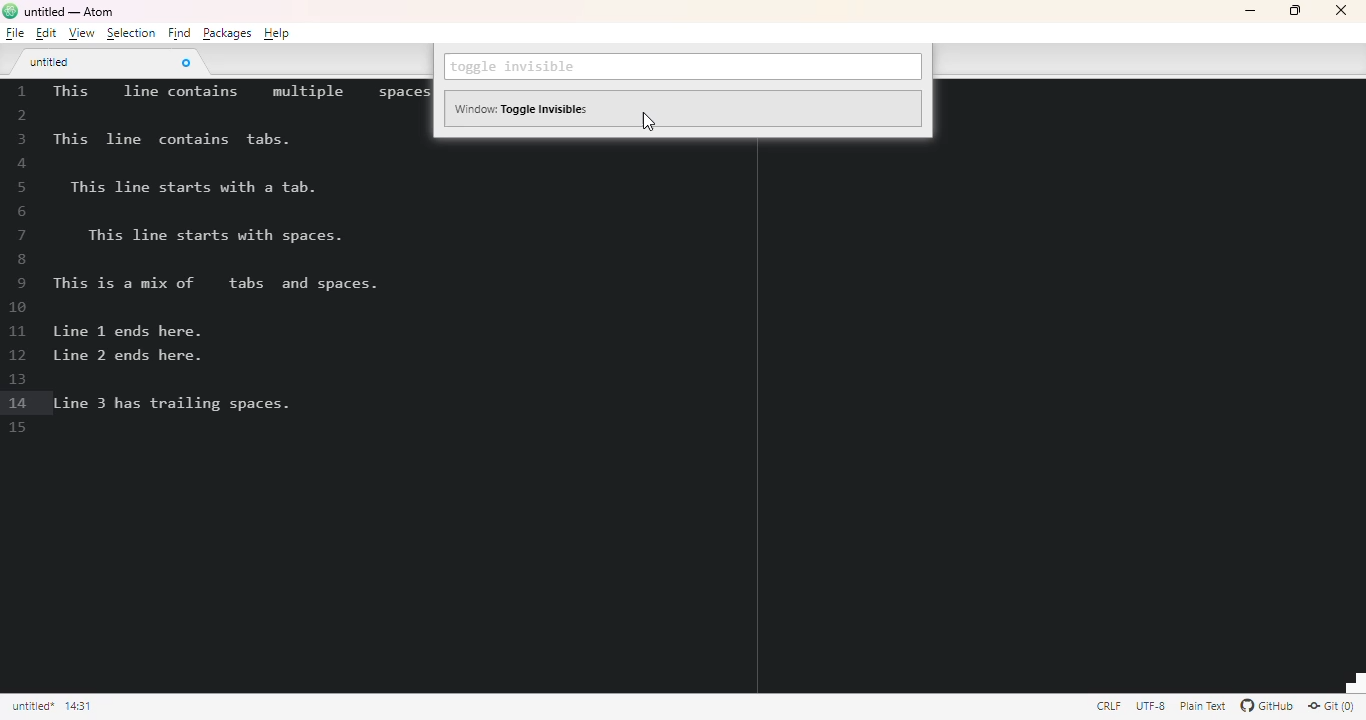 Image resolution: width=1366 pixels, height=720 pixels. I want to click on Git(0), so click(1330, 705).